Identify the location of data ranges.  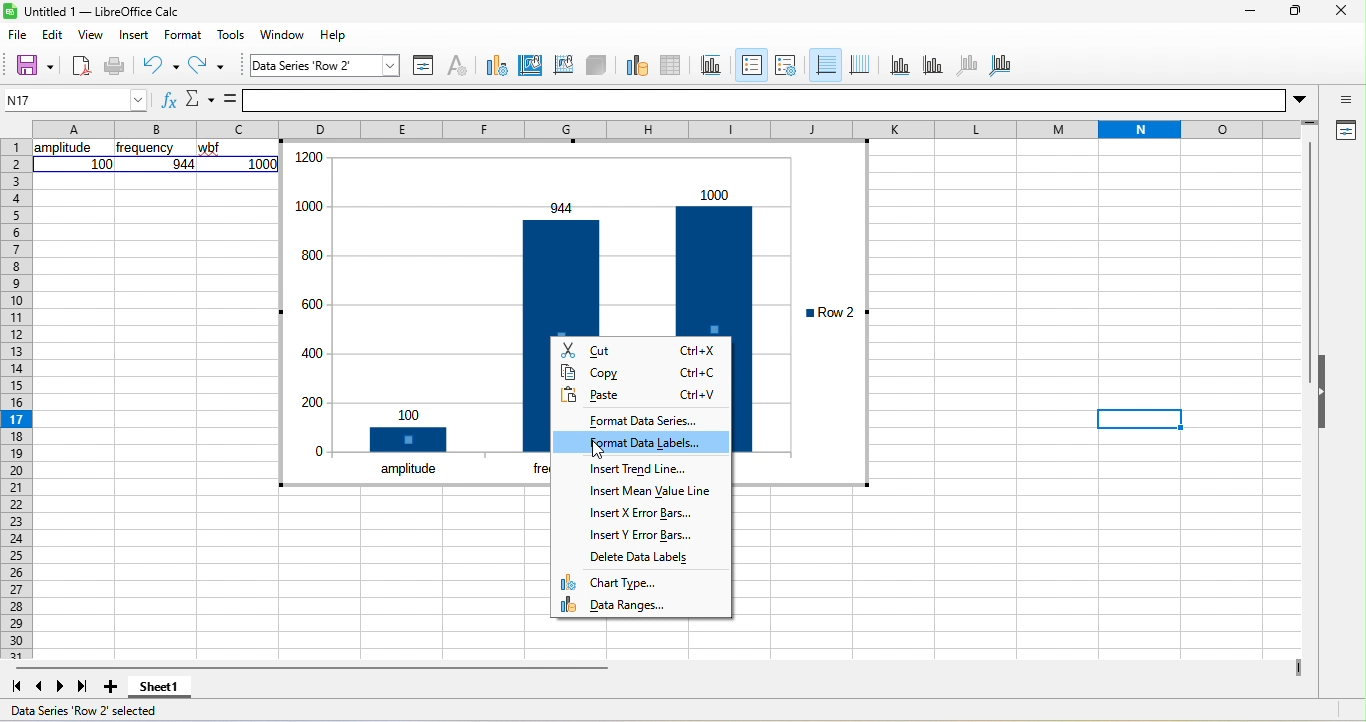
(635, 605).